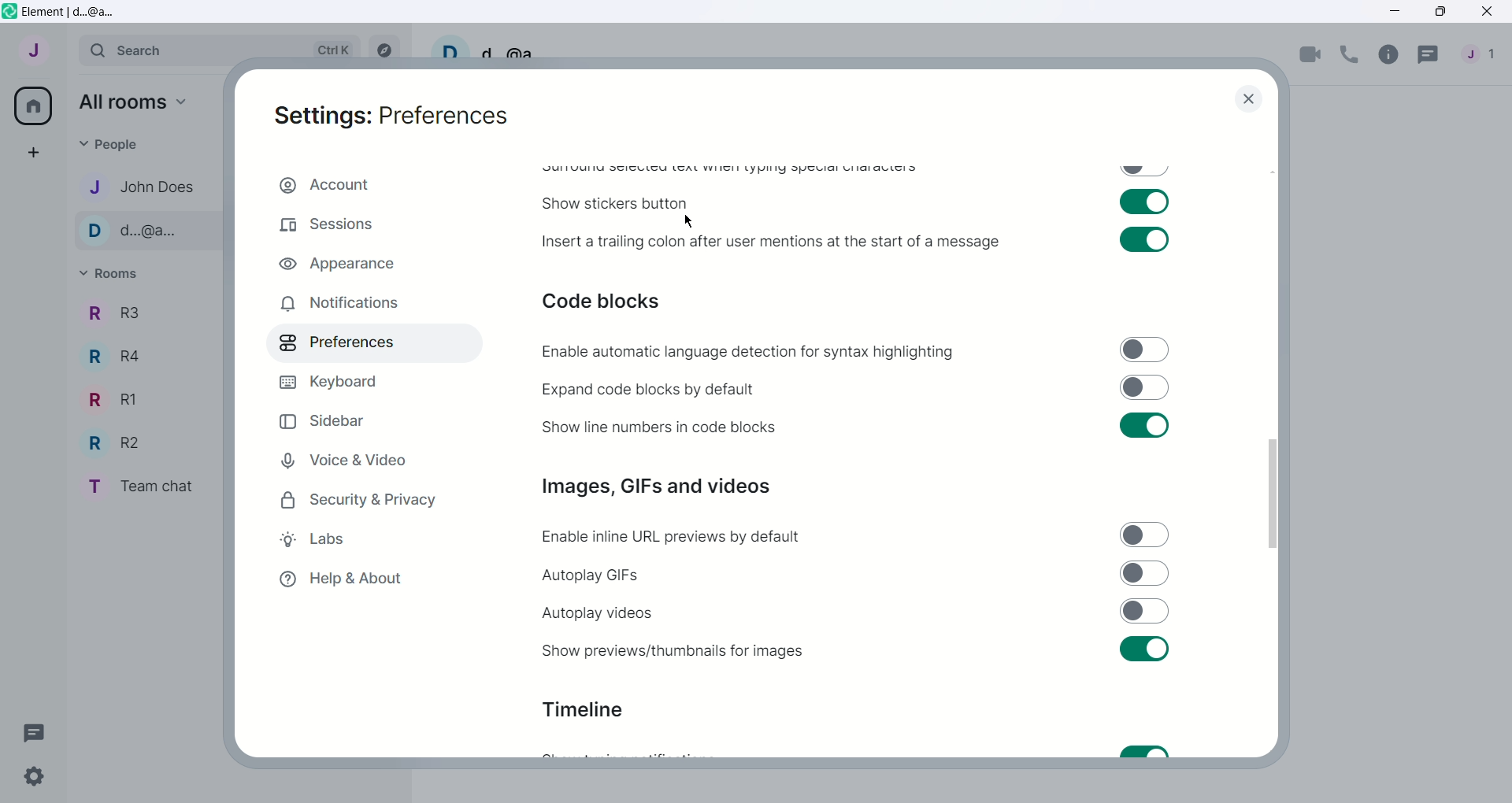  What do you see at coordinates (31, 106) in the screenshot?
I see `All rooms` at bounding box center [31, 106].